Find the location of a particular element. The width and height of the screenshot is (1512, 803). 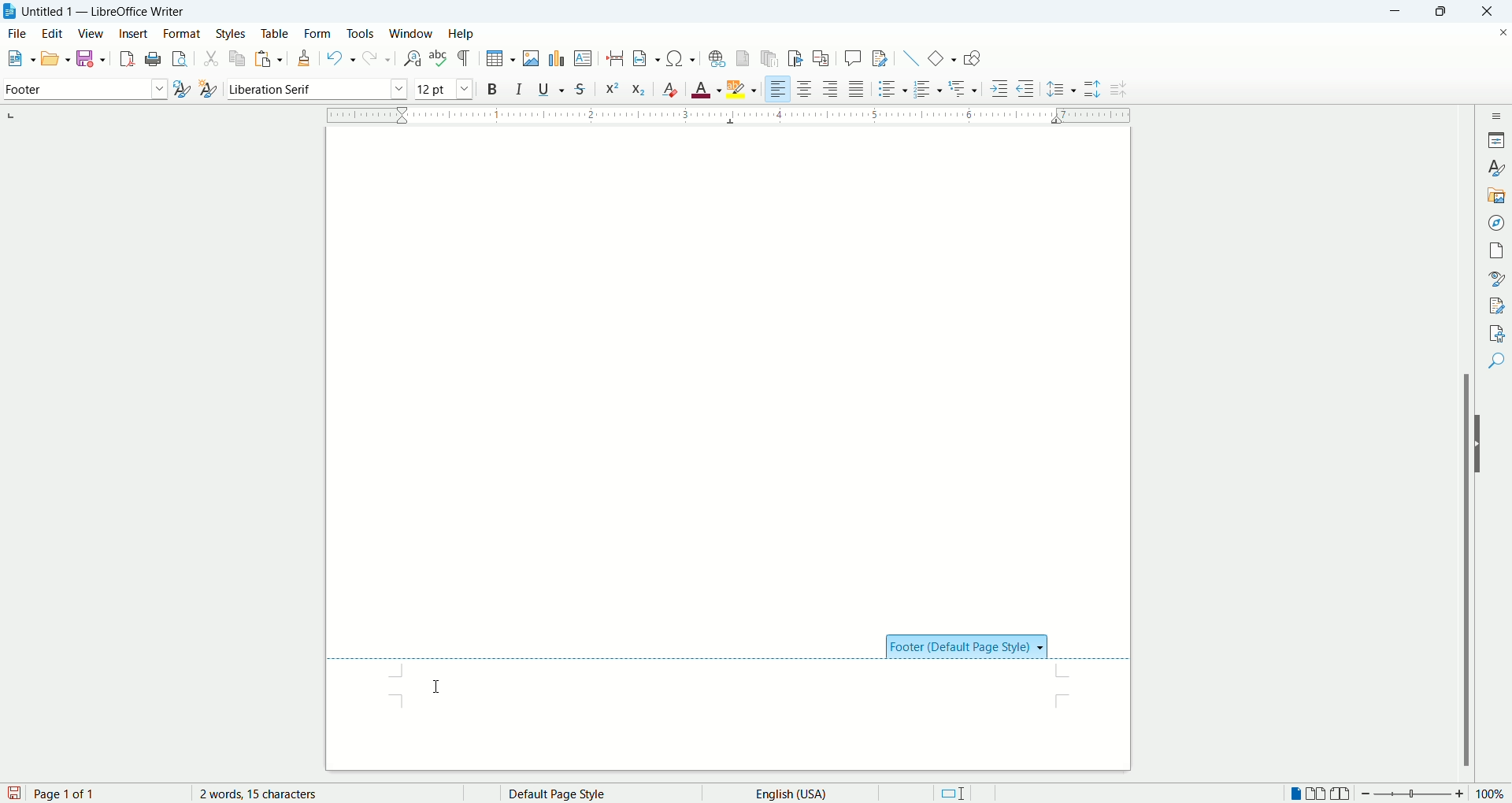

hide is located at coordinates (1482, 444).